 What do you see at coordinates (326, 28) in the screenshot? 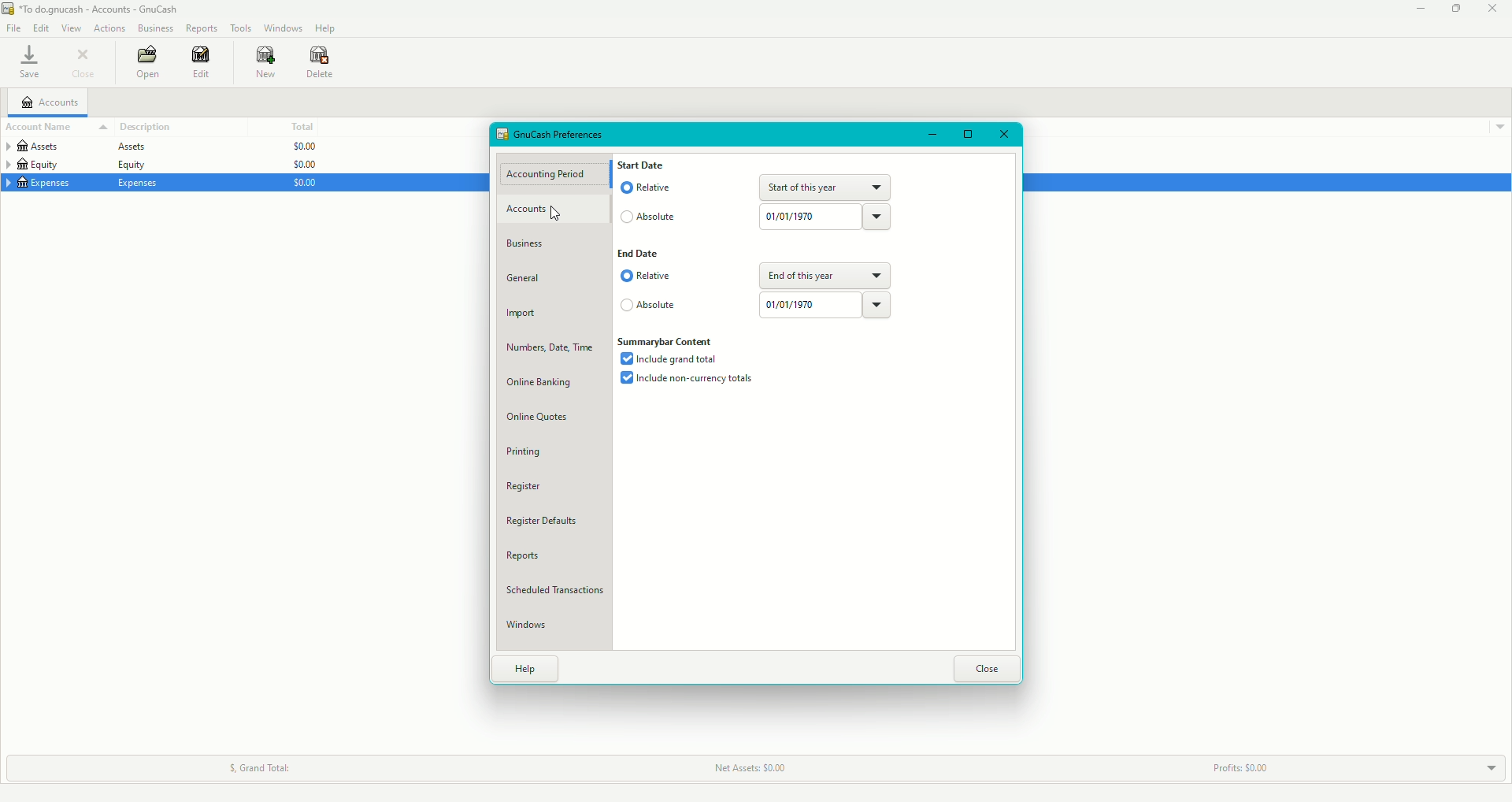
I see `Help` at bounding box center [326, 28].